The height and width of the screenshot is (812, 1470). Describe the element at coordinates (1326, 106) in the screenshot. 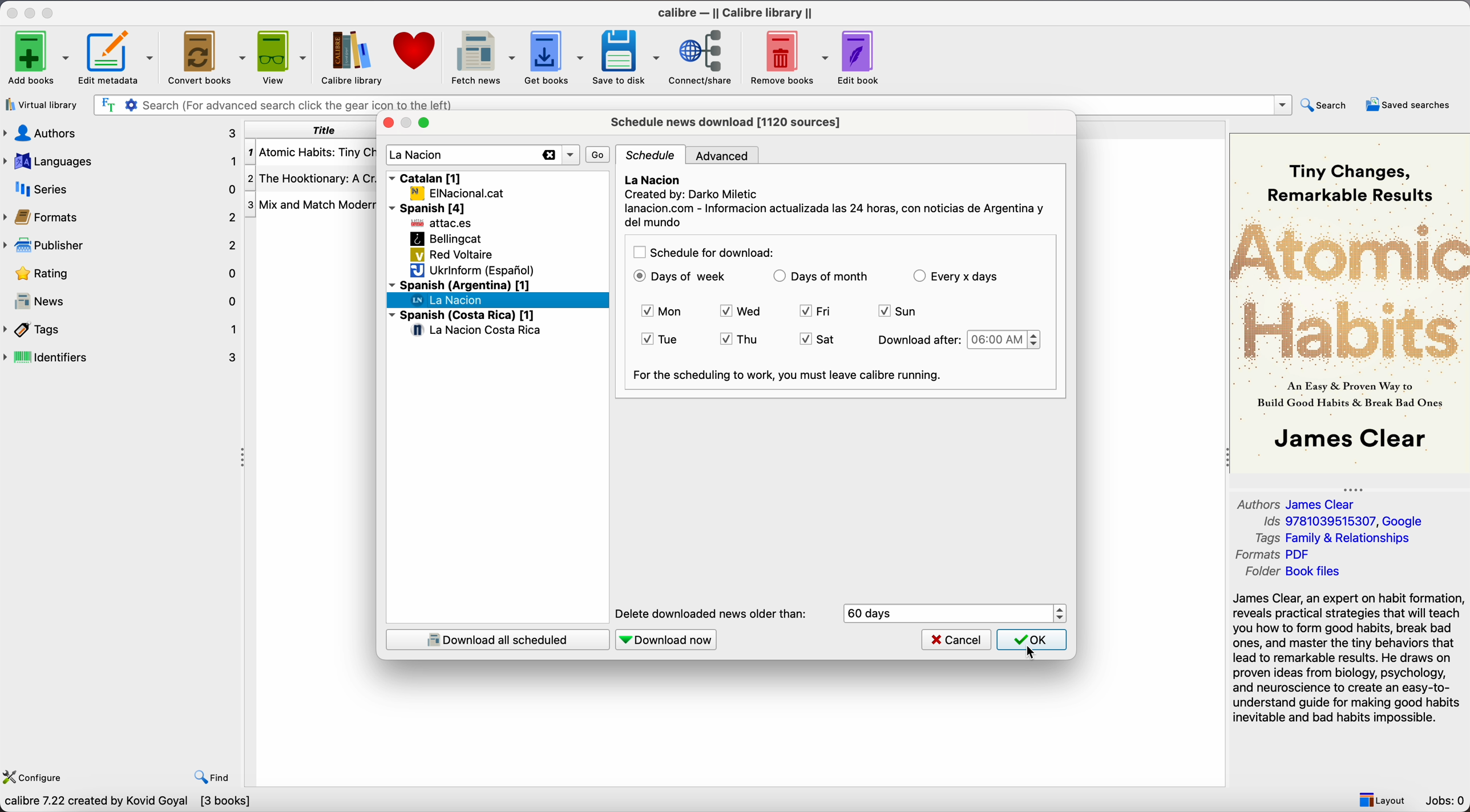

I see `search` at that location.